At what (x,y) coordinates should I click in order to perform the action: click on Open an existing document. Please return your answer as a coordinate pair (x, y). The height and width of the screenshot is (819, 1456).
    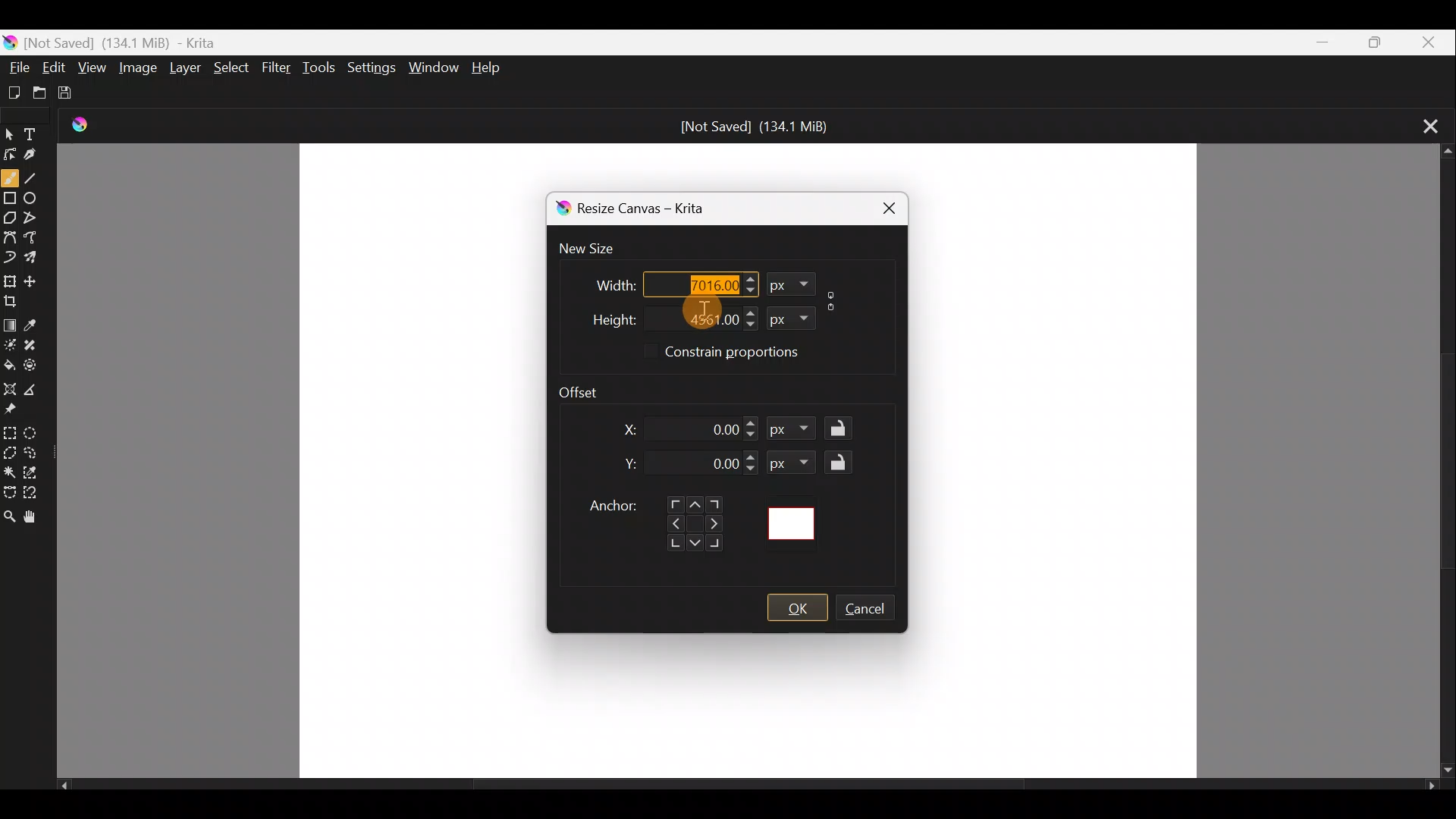
    Looking at the image, I should click on (46, 93).